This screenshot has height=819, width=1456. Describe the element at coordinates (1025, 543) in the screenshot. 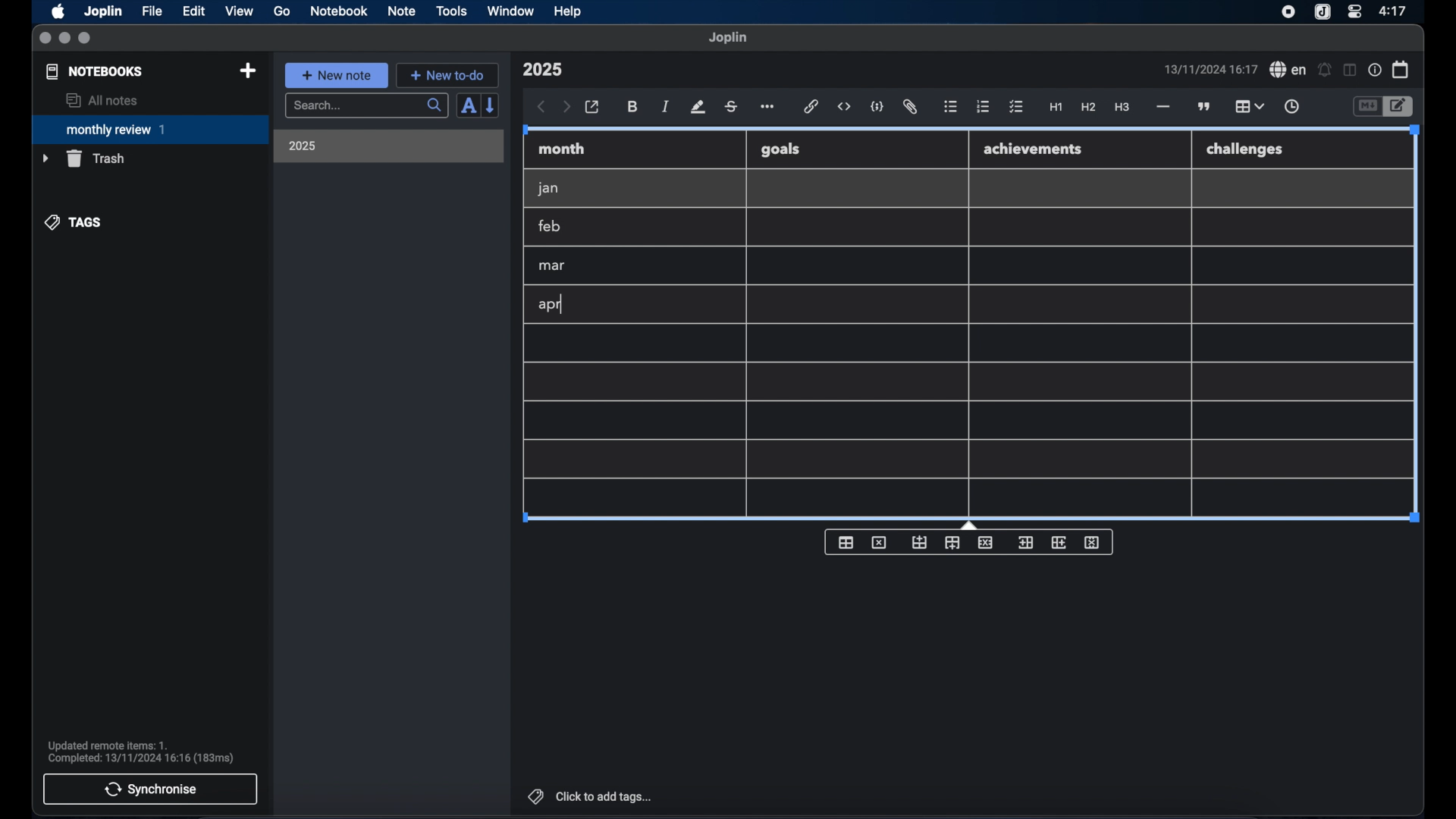

I see `insert column before` at that location.